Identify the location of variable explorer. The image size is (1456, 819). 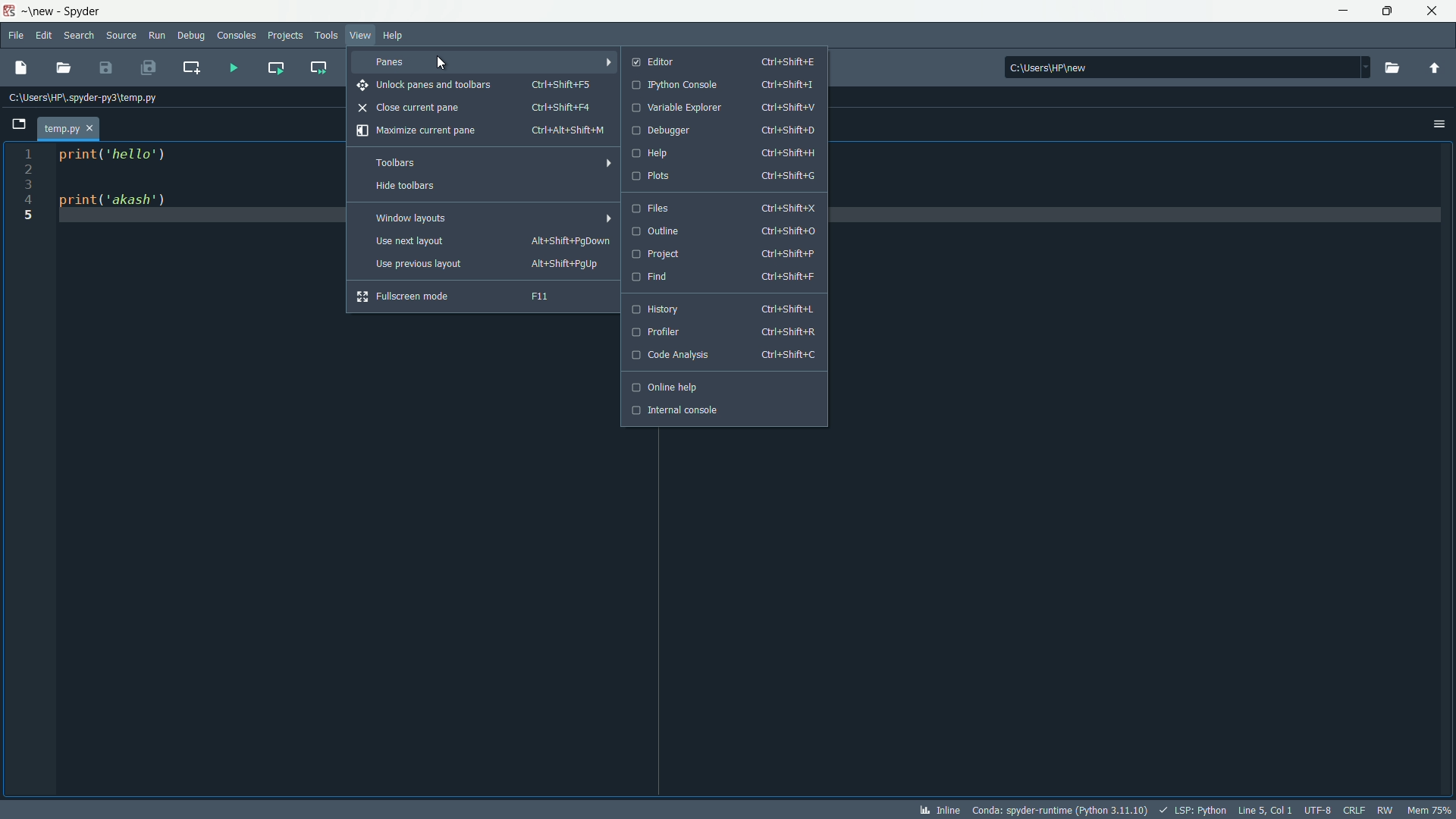
(721, 108).